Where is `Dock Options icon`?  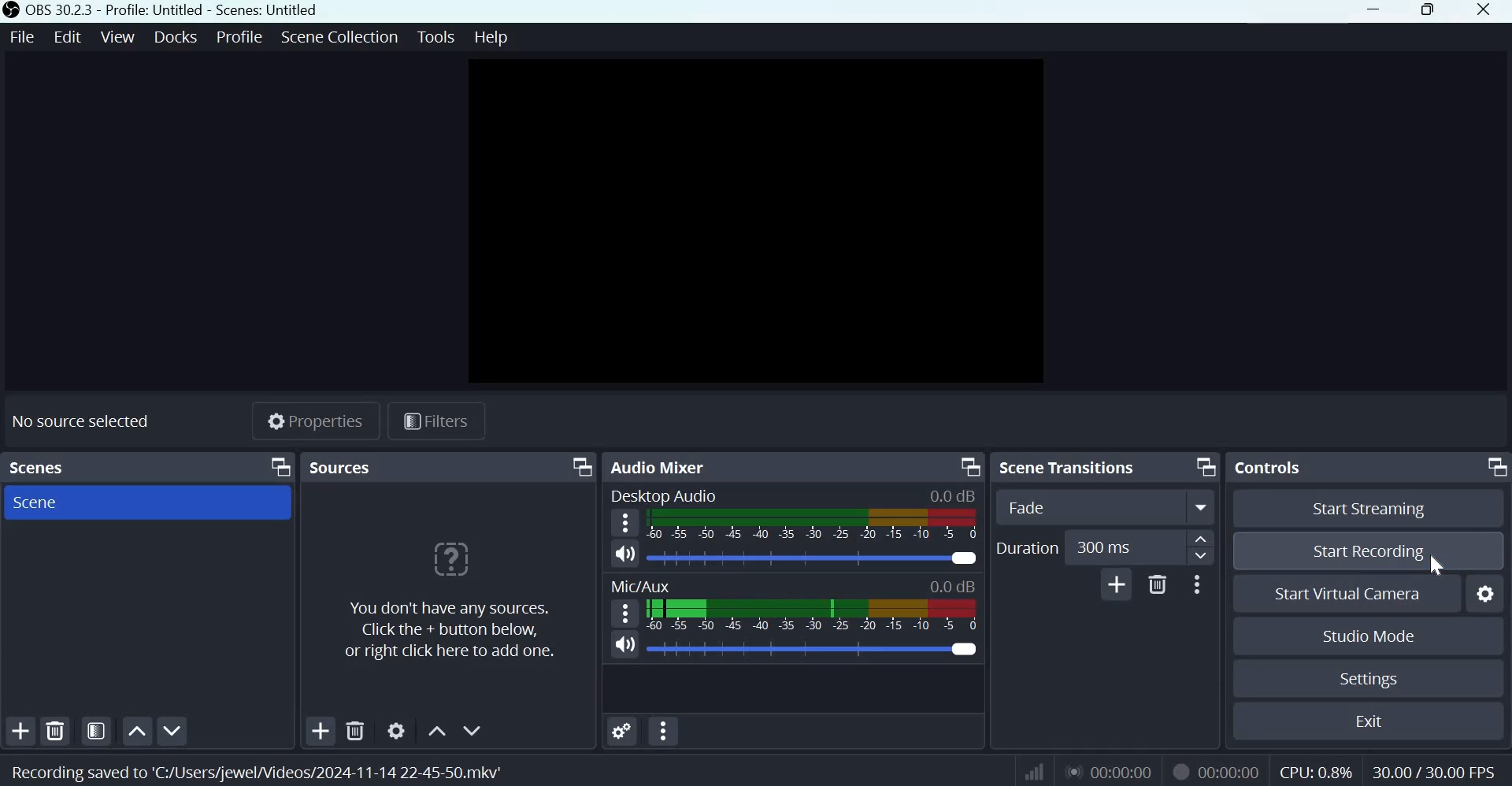 Dock Options icon is located at coordinates (579, 466).